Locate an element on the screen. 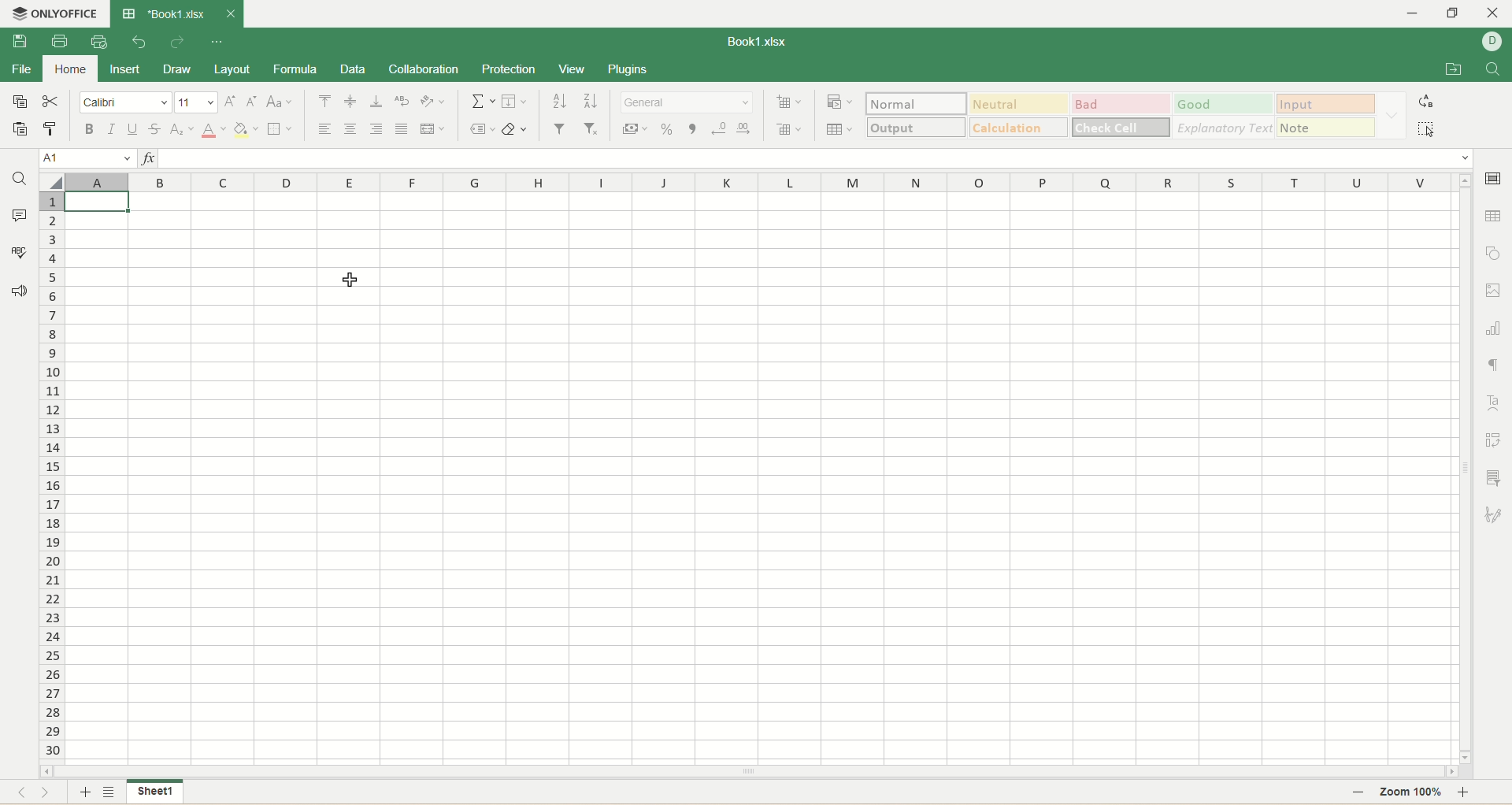  quick settings is located at coordinates (223, 43).